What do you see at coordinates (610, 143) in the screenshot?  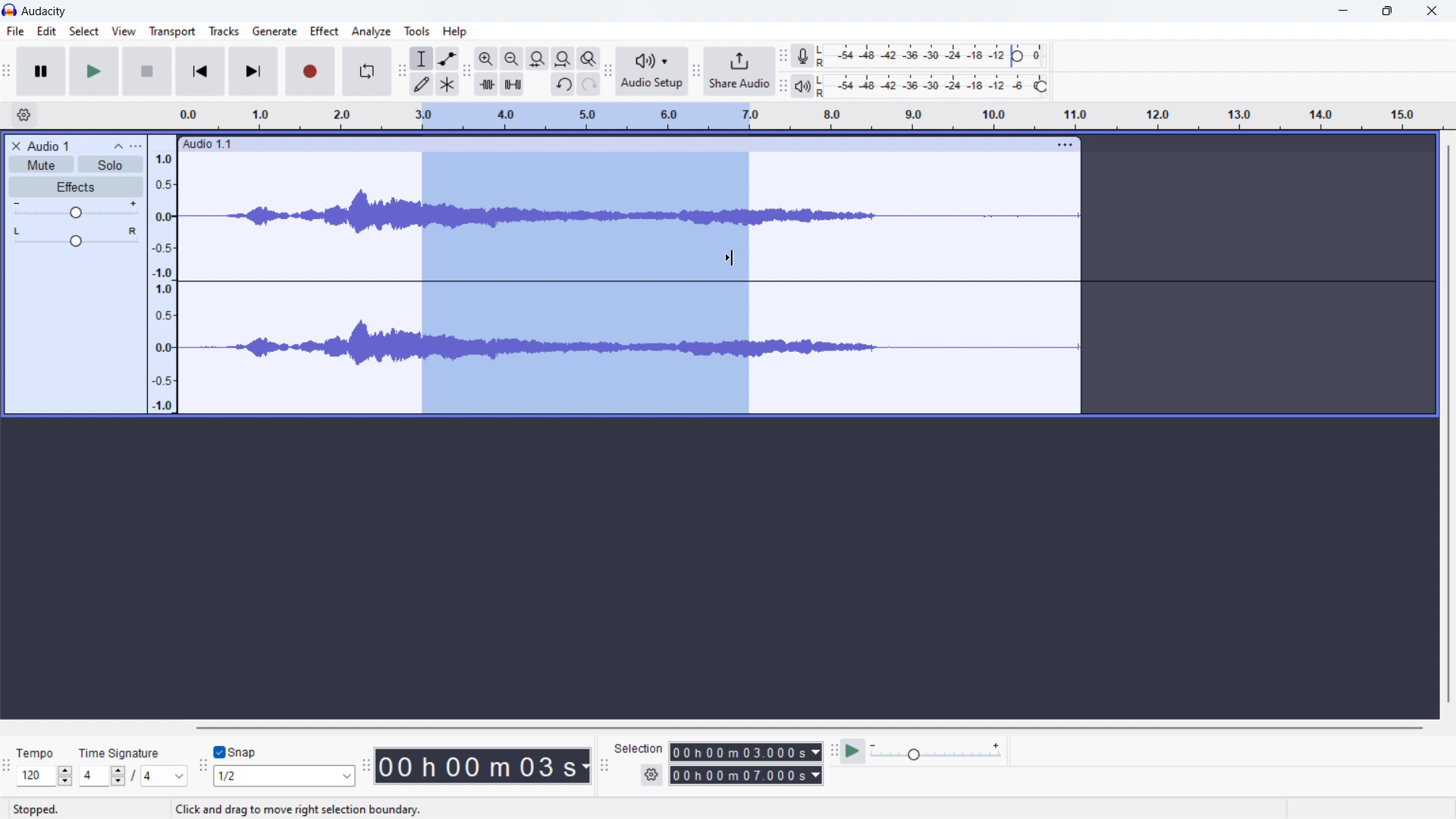 I see `Audio 1.1` at bounding box center [610, 143].